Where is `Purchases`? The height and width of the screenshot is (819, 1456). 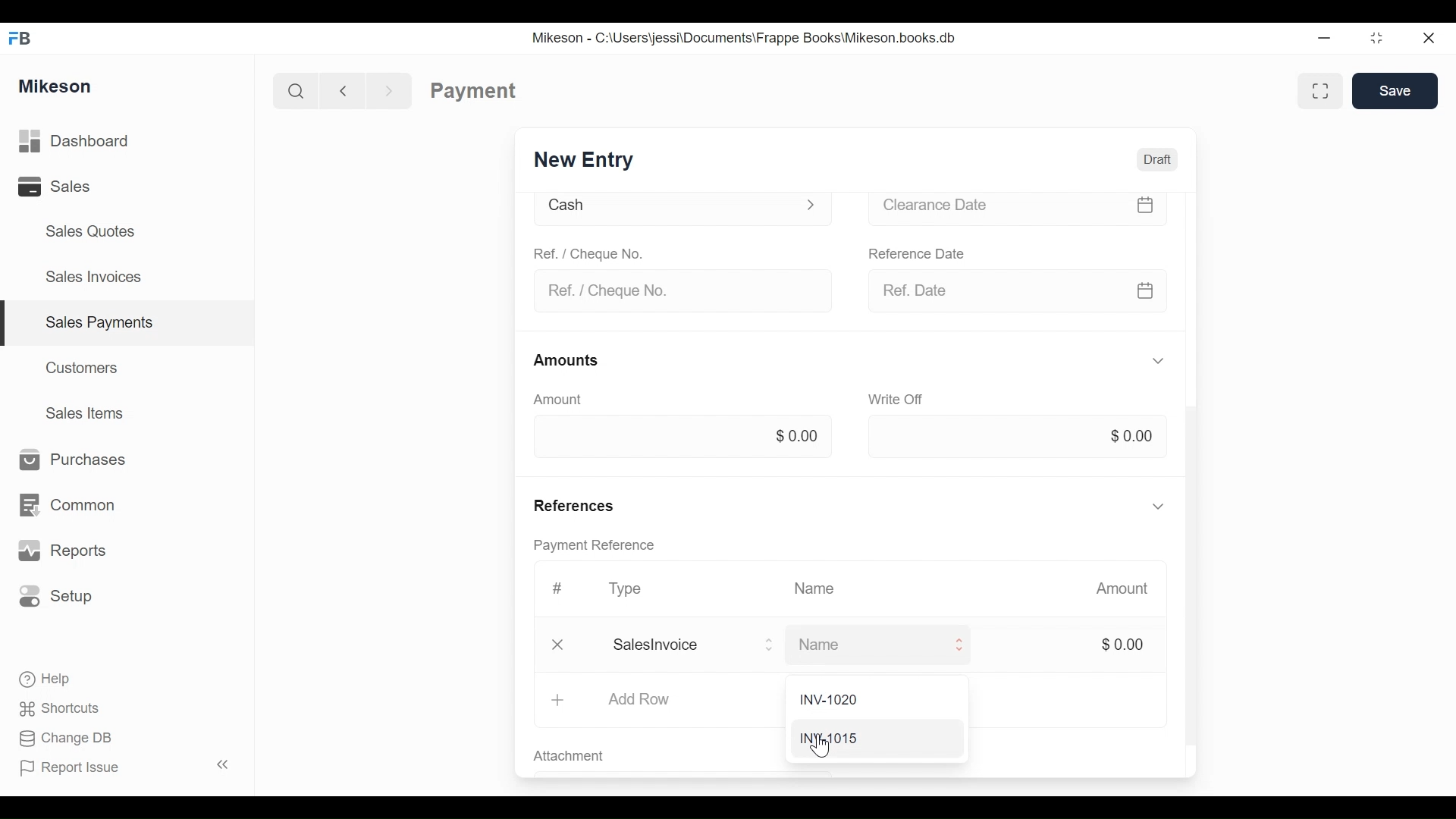
Purchases is located at coordinates (72, 460).